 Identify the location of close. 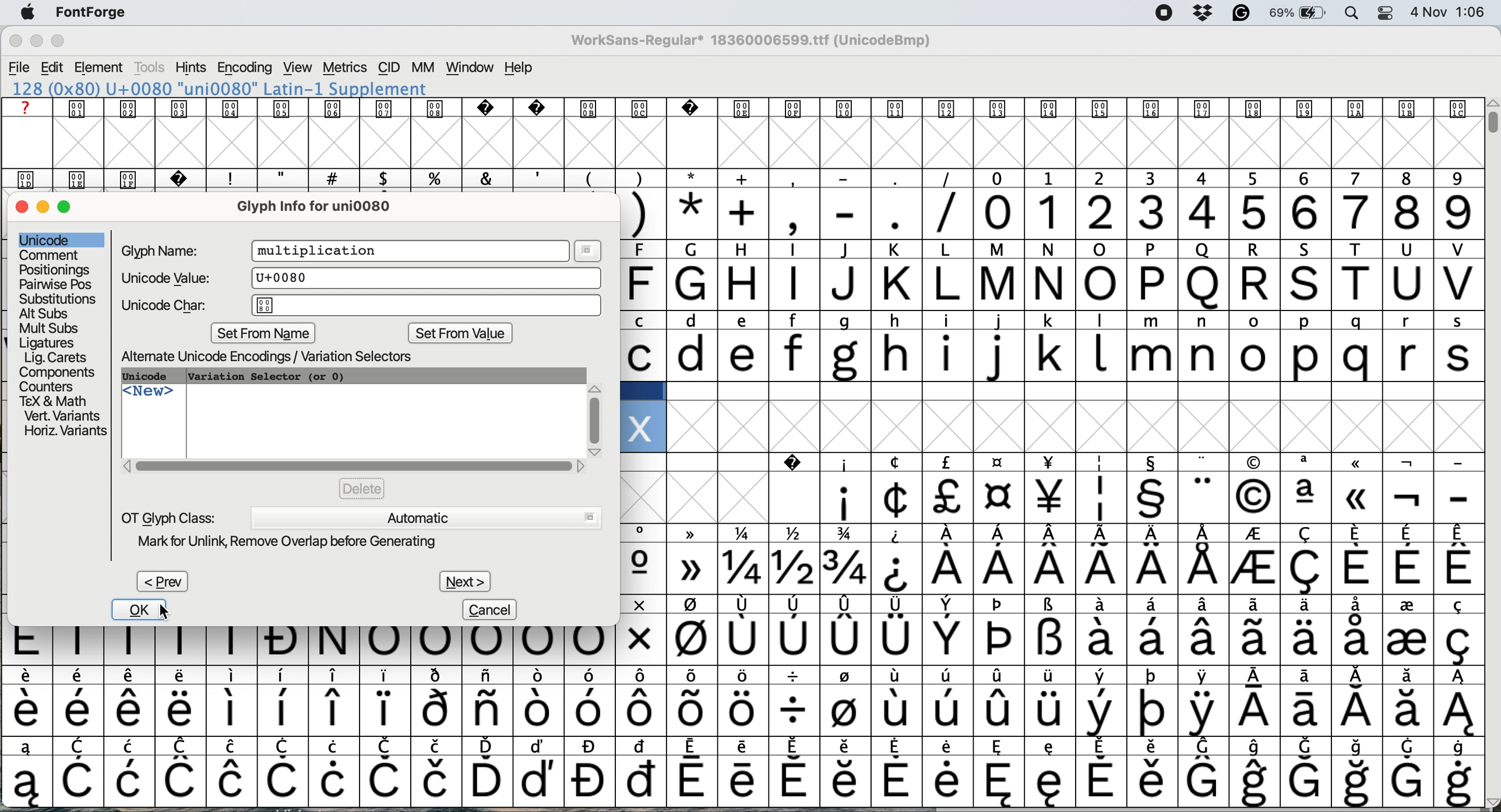
(22, 208).